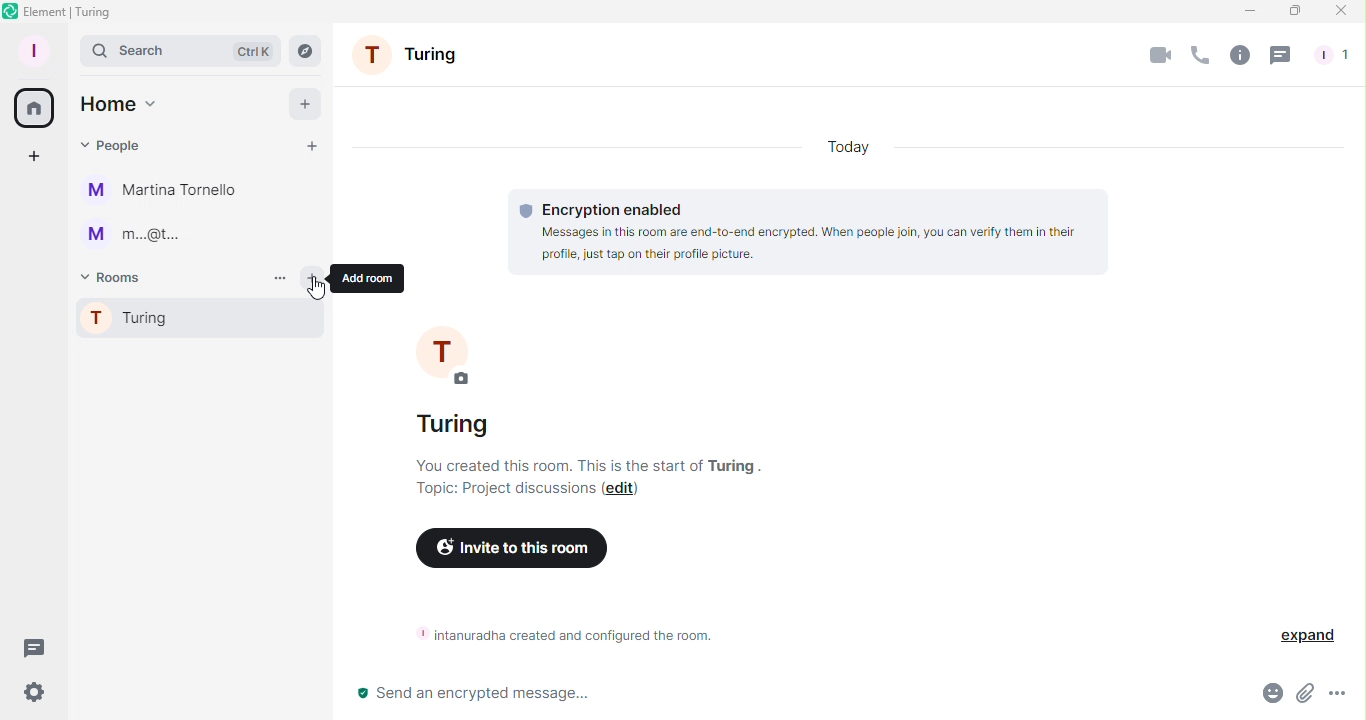 Image resolution: width=1366 pixels, height=720 pixels. Describe the element at coordinates (310, 52) in the screenshot. I see `Search rooms` at that location.